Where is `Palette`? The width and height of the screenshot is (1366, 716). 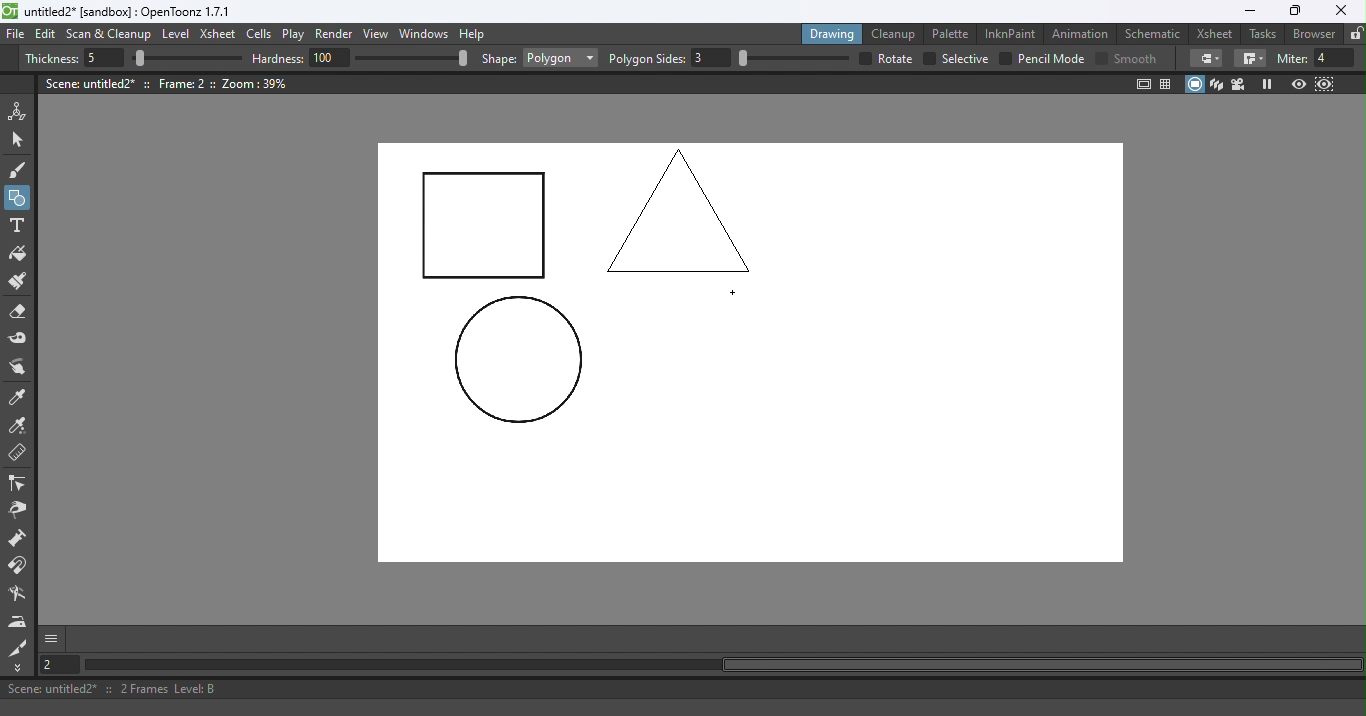 Palette is located at coordinates (953, 33).